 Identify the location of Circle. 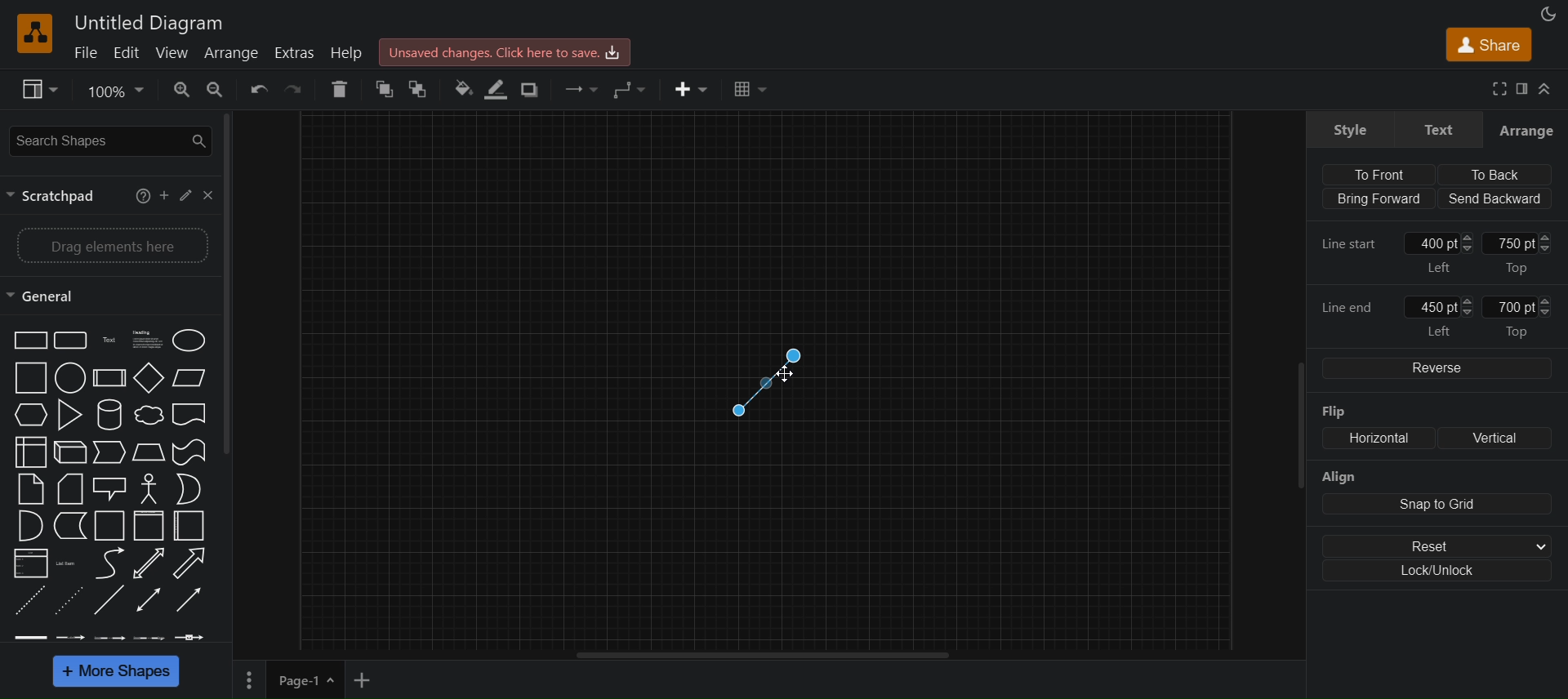
(69, 378).